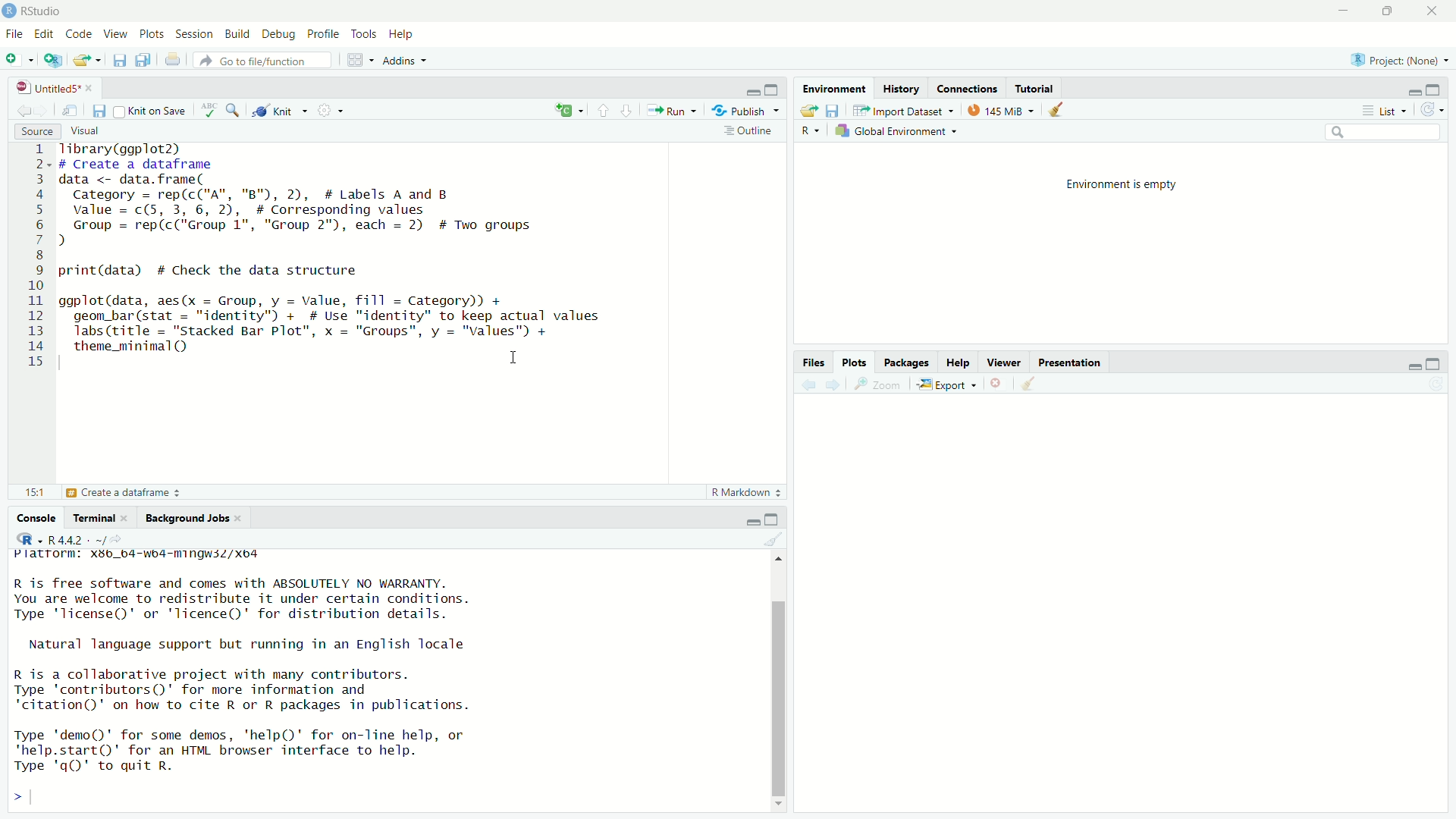 The height and width of the screenshot is (819, 1456). Describe the element at coordinates (152, 110) in the screenshot. I see `Knit on Save` at that location.